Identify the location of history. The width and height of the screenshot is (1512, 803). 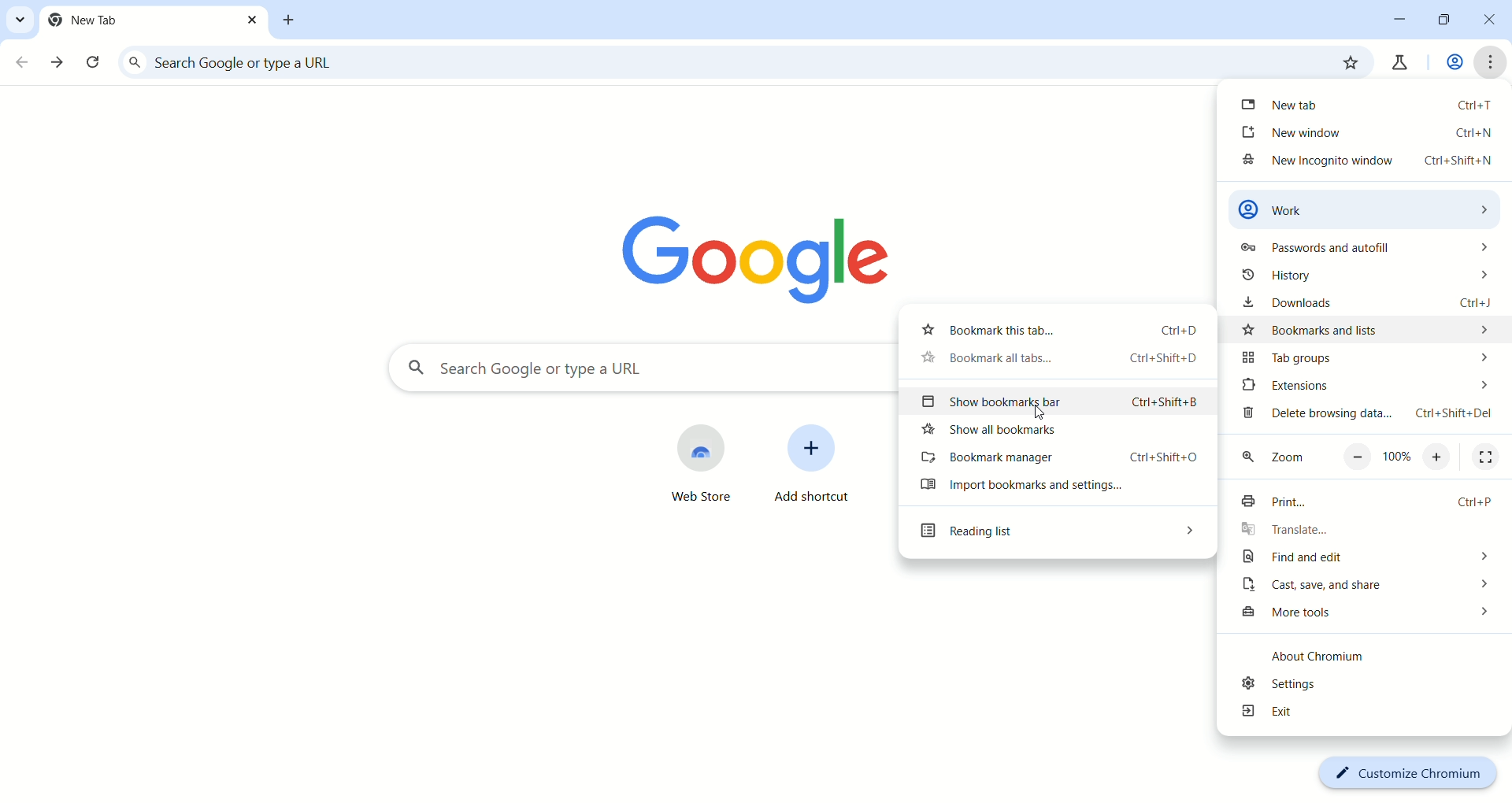
(1362, 278).